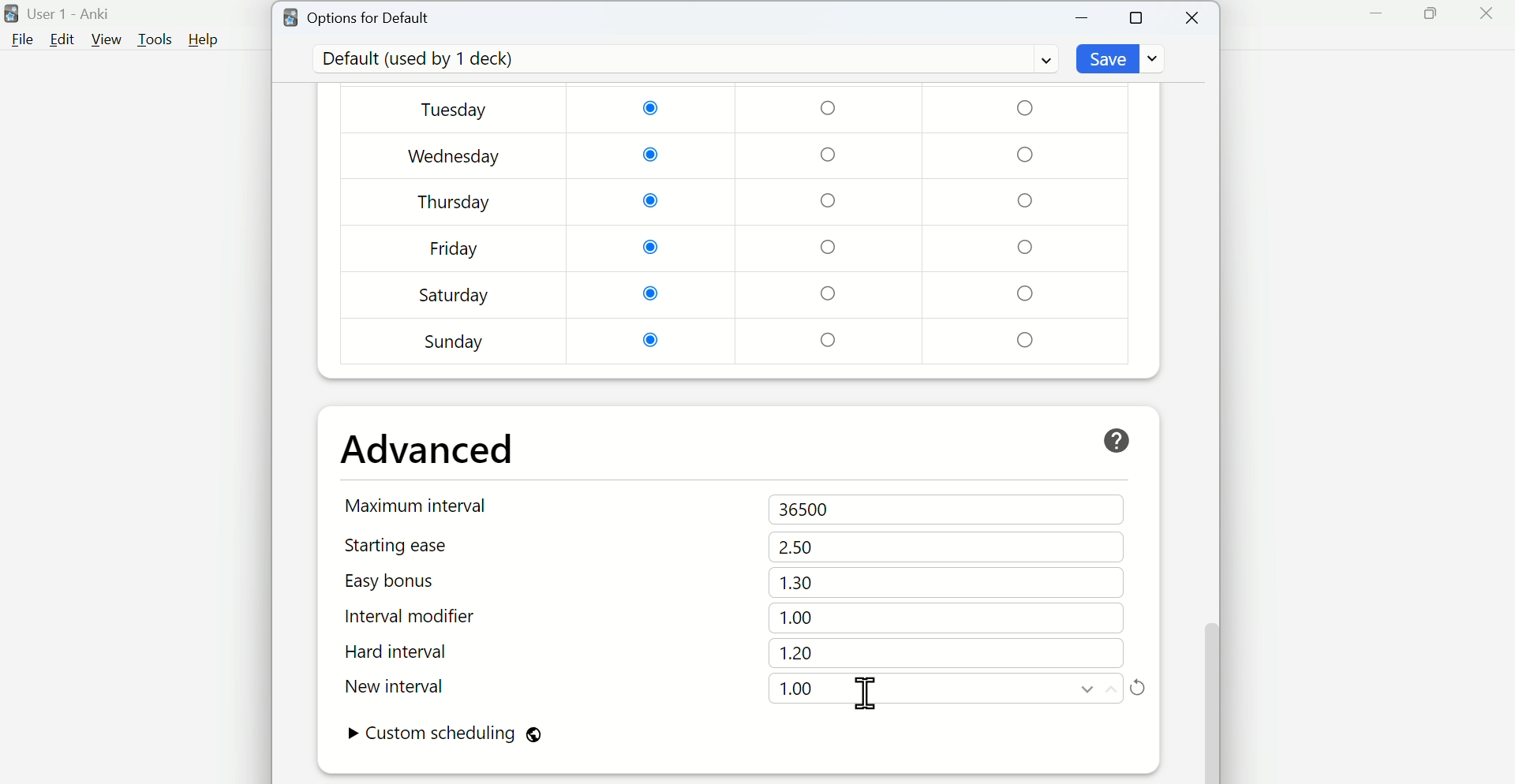  What do you see at coordinates (417, 581) in the screenshot?
I see `Easy bonus` at bounding box center [417, 581].